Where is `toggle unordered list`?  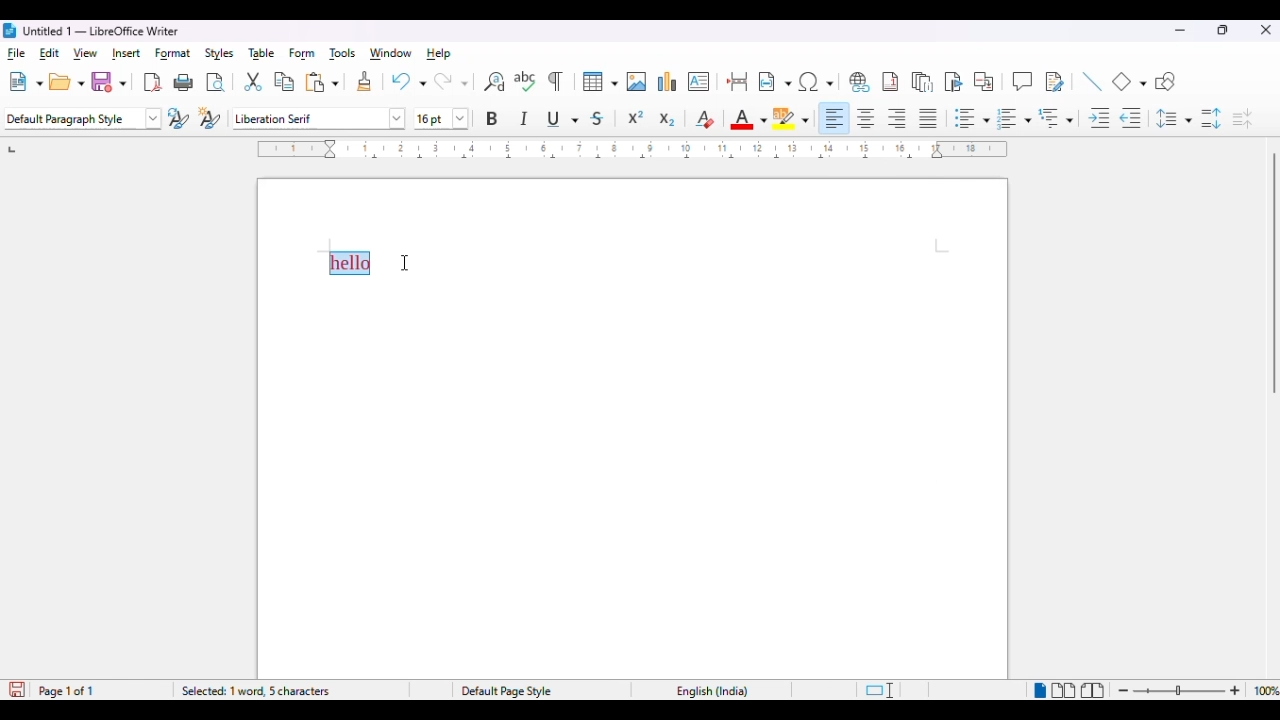 toggle unordered list is located at coordinates (971, 118).